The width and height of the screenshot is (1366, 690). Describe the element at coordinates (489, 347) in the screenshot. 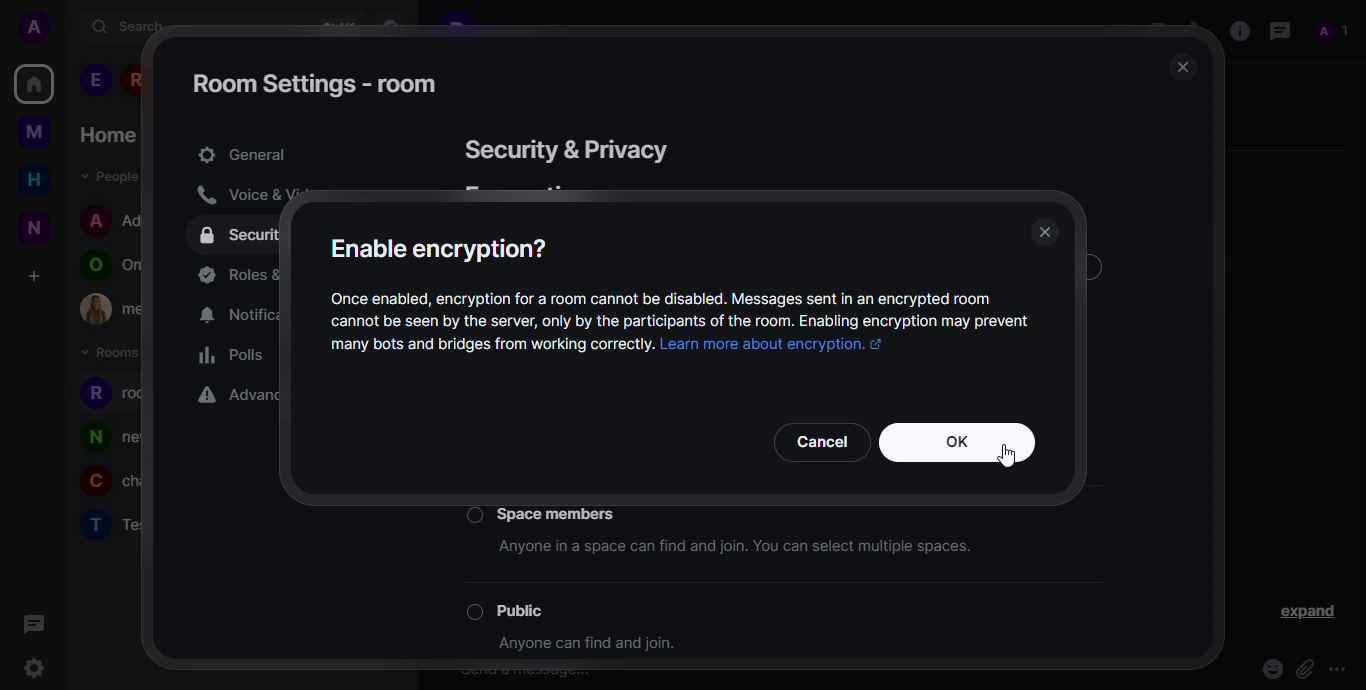

I see `text` at that location.